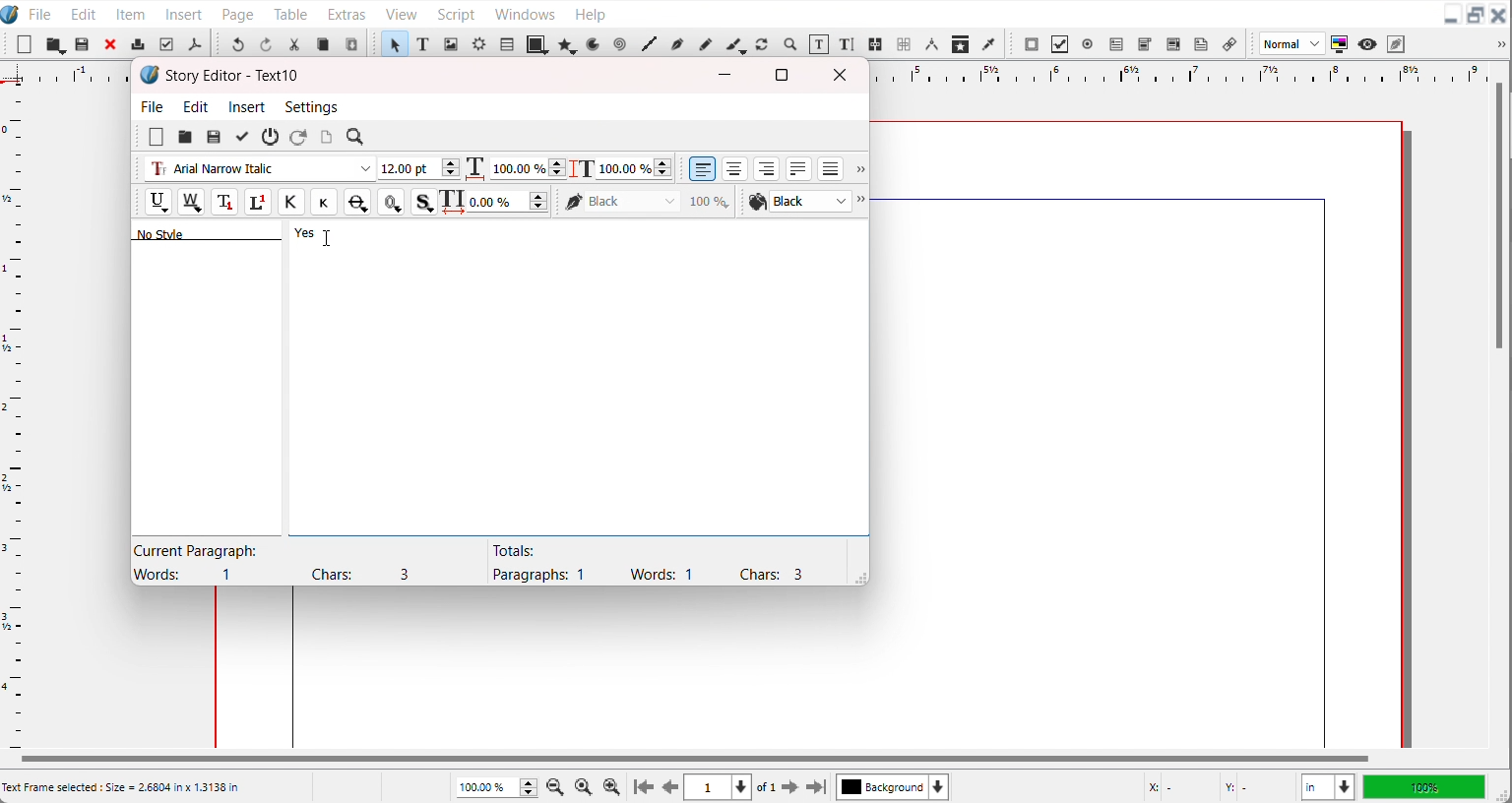 This screenshot has height=803, width=1512. Describe the element at coordinates (248, 106) in the screenshot. I see `Insert` at that location.